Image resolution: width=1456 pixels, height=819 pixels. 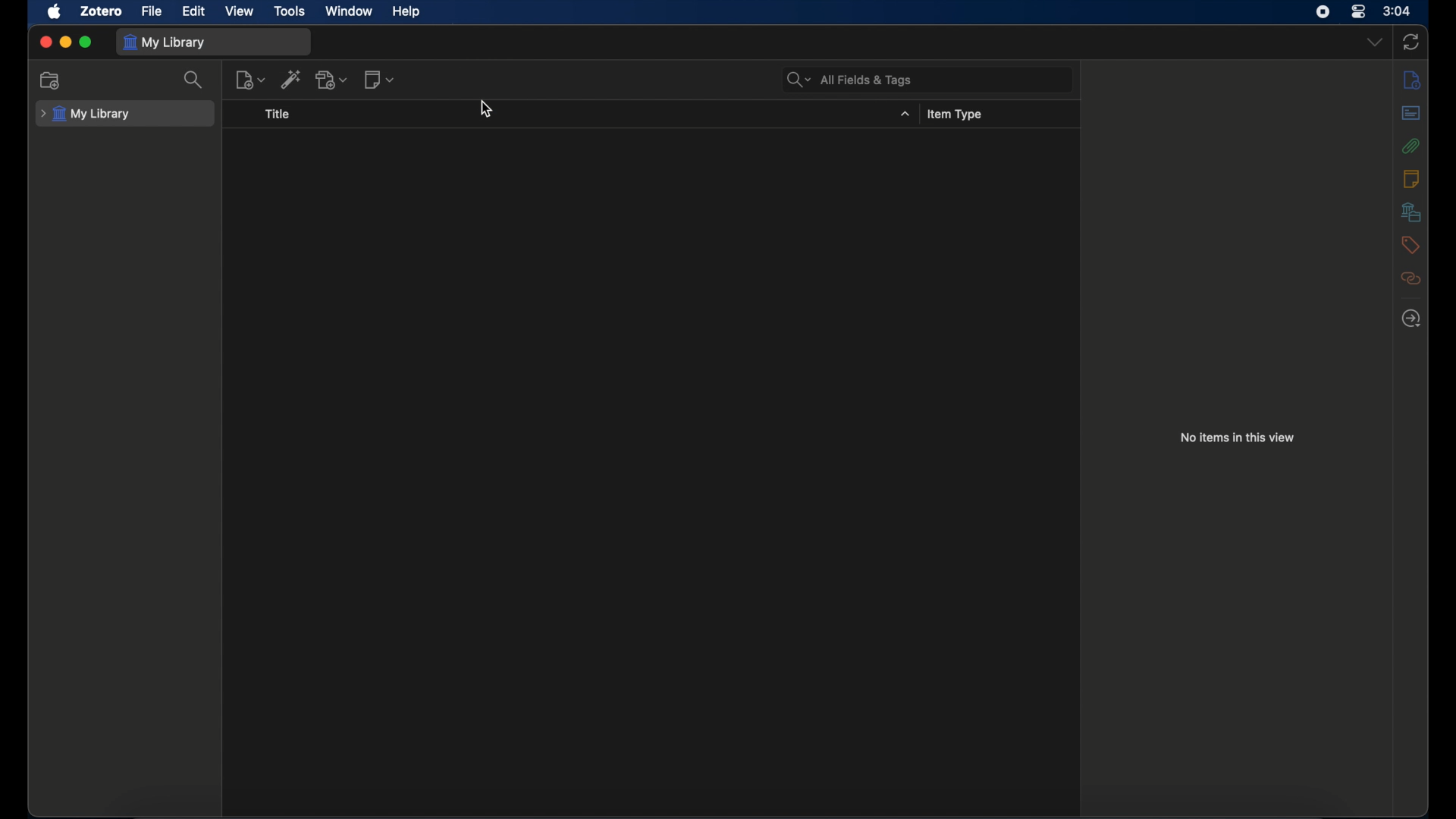 What do you see at coordinates (103, 11) in the screenshot?
I see `zotero` at bounding box center [103, 11].